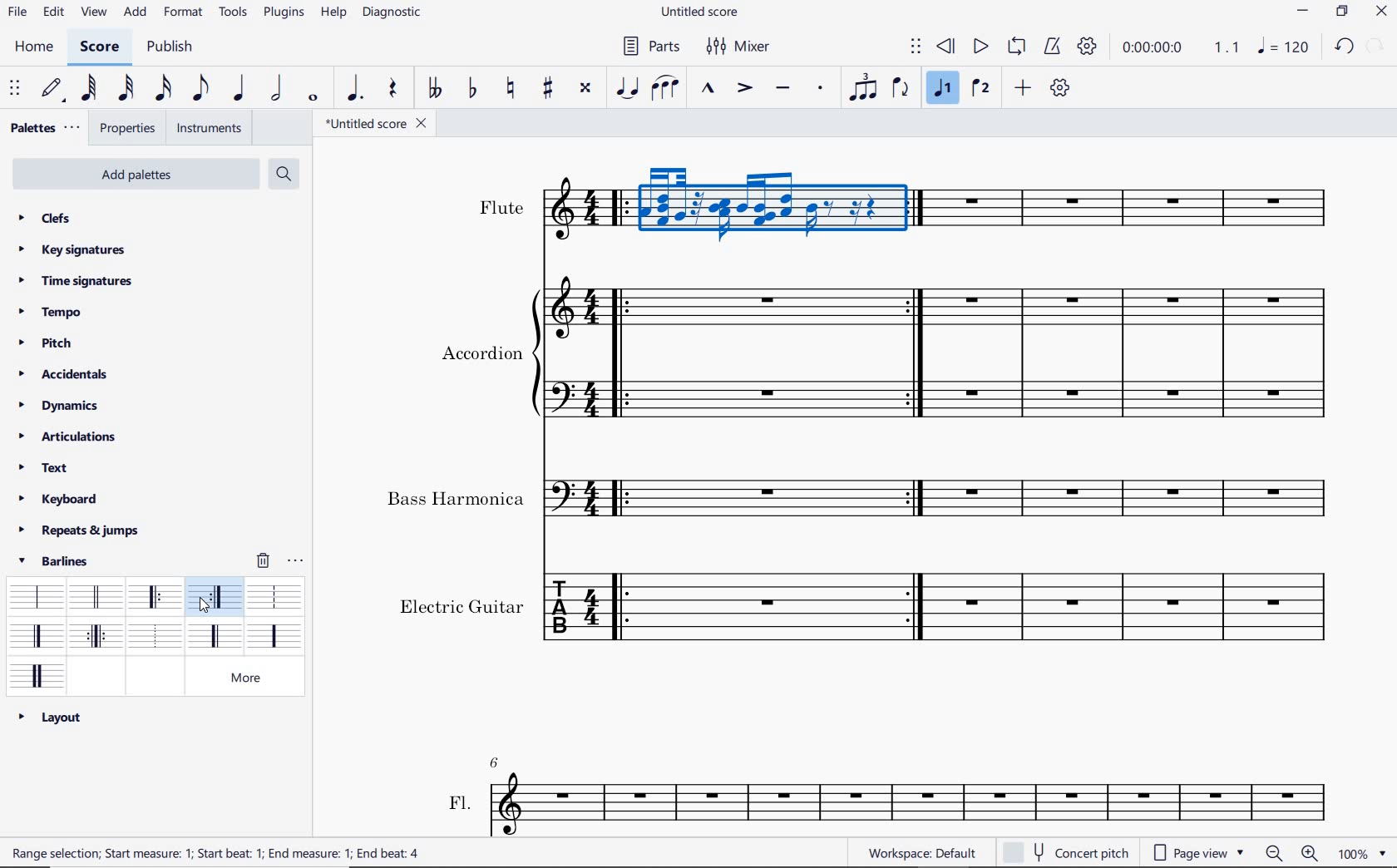 The height and width of the screenshot is (868, 1397). I want to click on eighth note, so click(199, 88).